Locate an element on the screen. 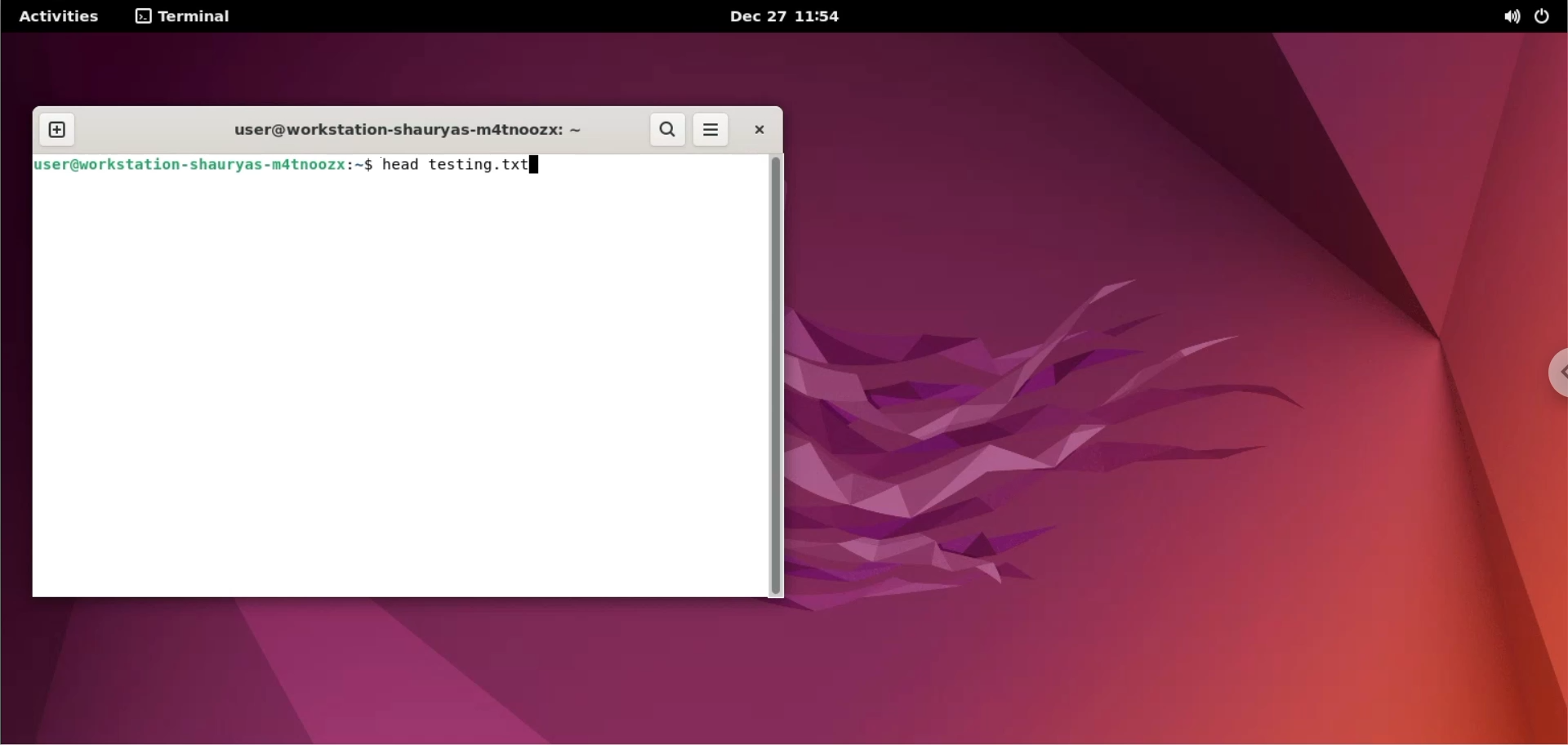  search is located at coordinates (666, 130).